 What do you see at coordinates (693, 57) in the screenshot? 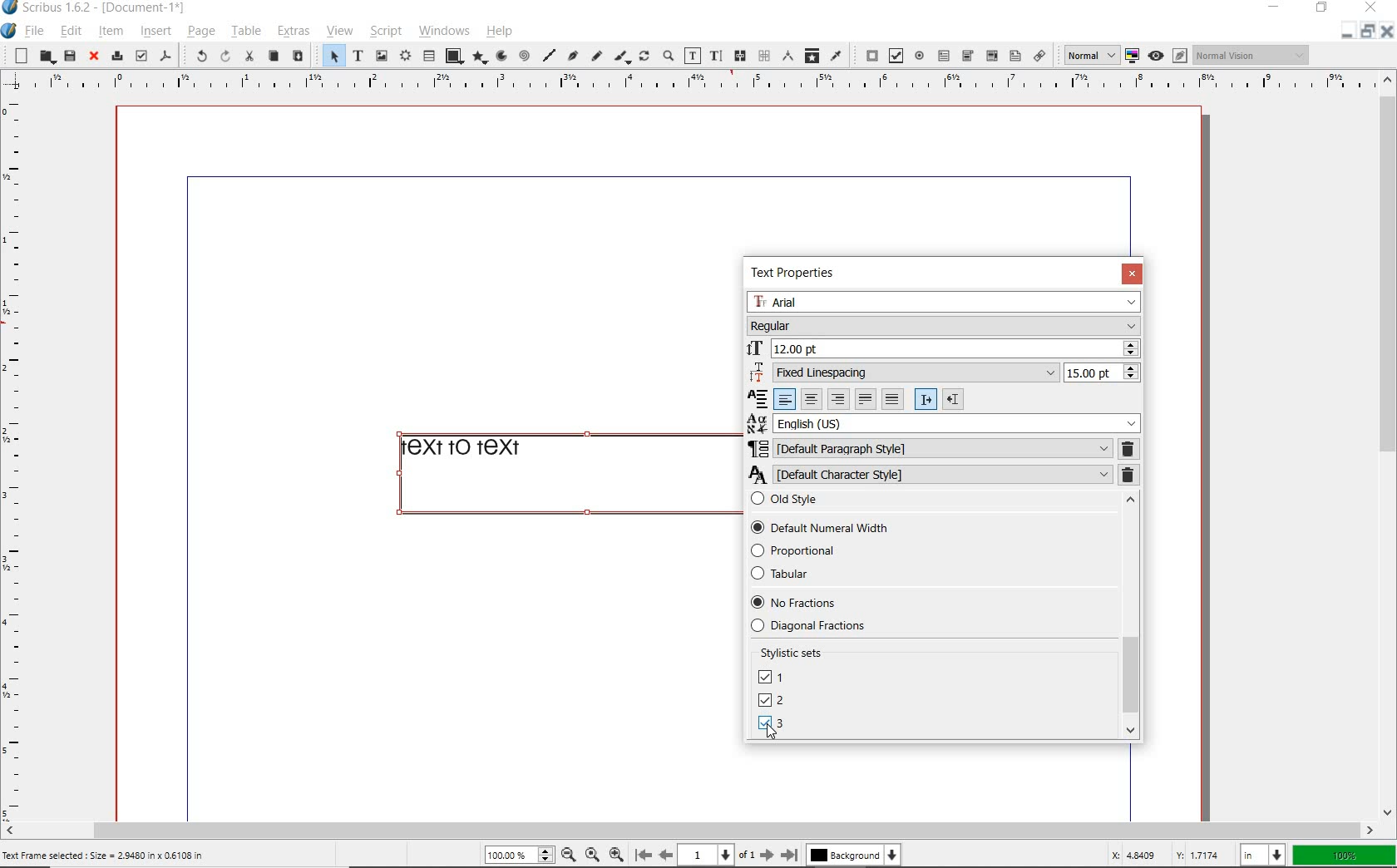
I see `edit contents of frame` at bounding box center [693, 57].